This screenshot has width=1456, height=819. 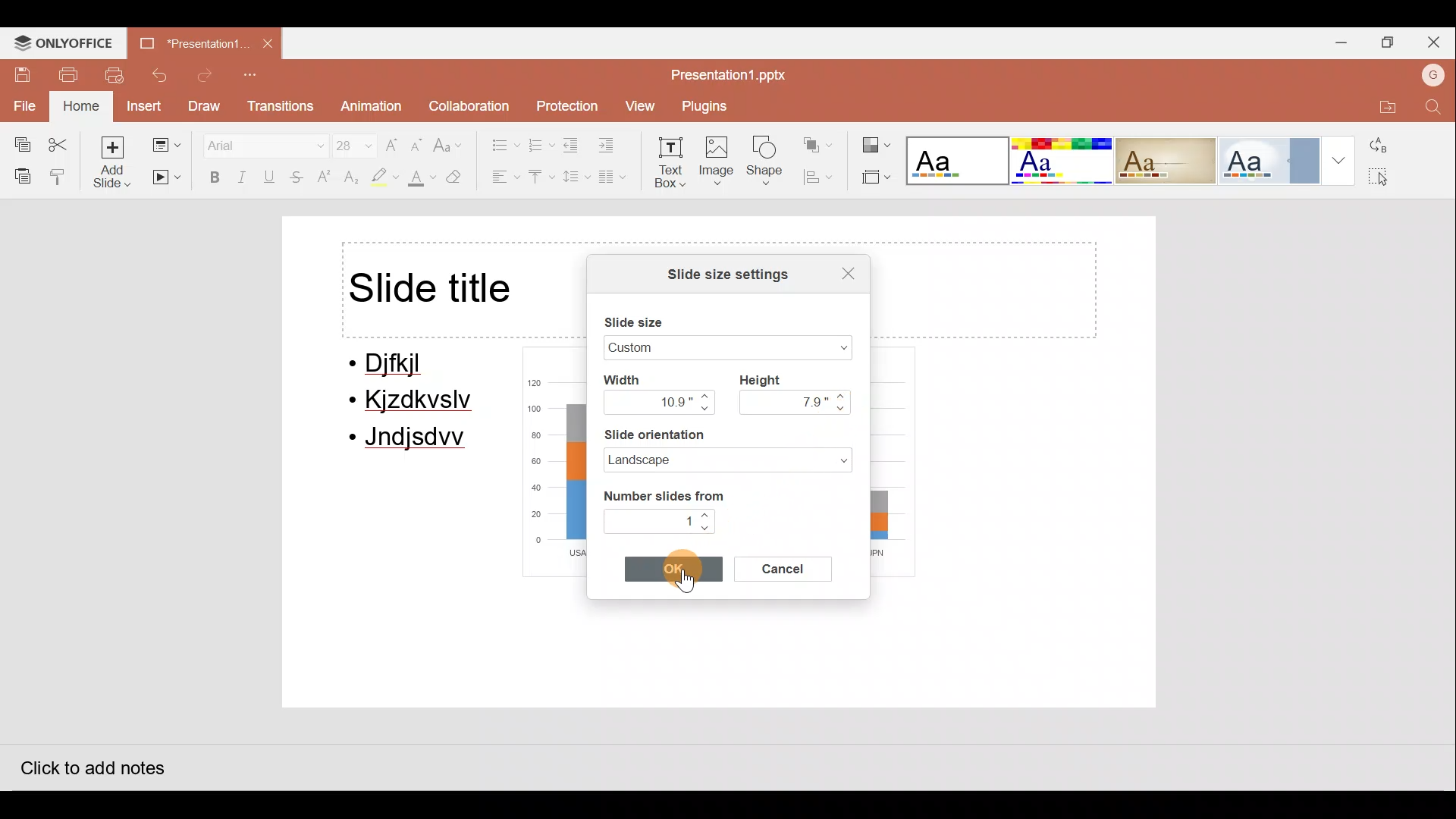 What do you see at coordinates (959, 162) in the screenshot?
I see `Theme 1` at bounding box center [959, 162].